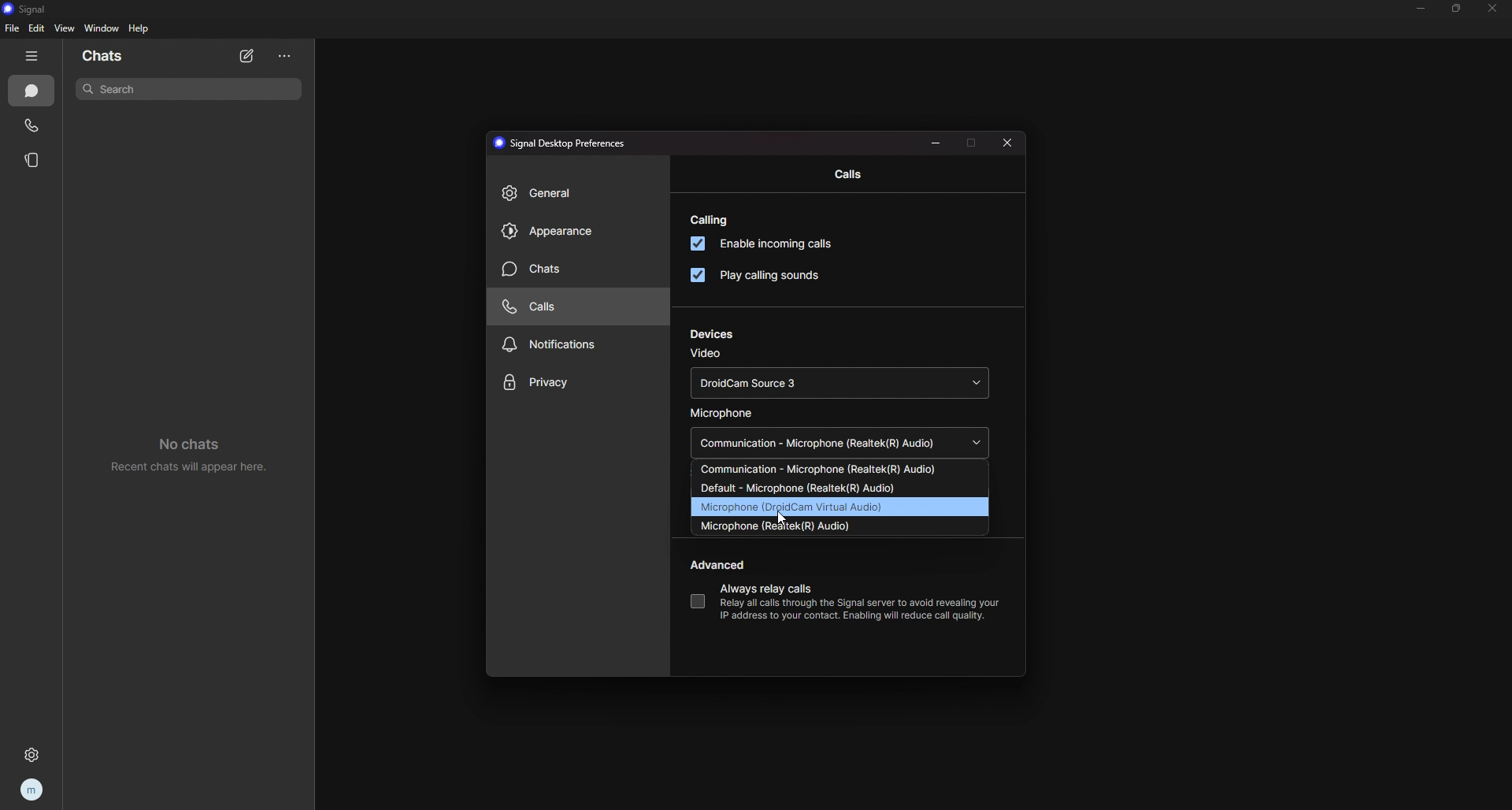 The width and height of the screenshot is (1512, 810). What do you see at coordinates (187, 454) in the screenshot?
I see `no chats` at bounding box center [187, 454].